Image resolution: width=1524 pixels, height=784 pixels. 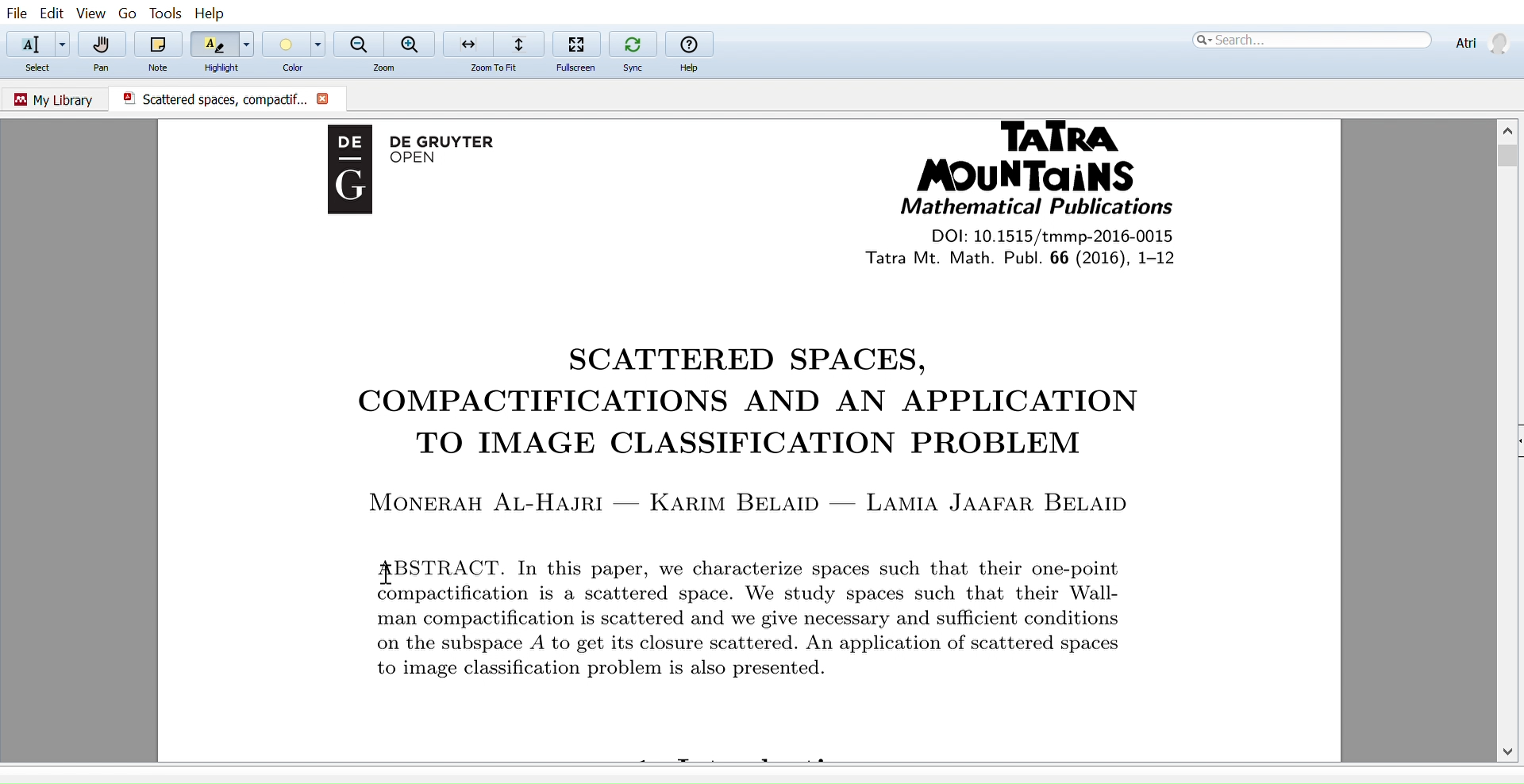 I want to click on Sync, so click(x=633, y=67).